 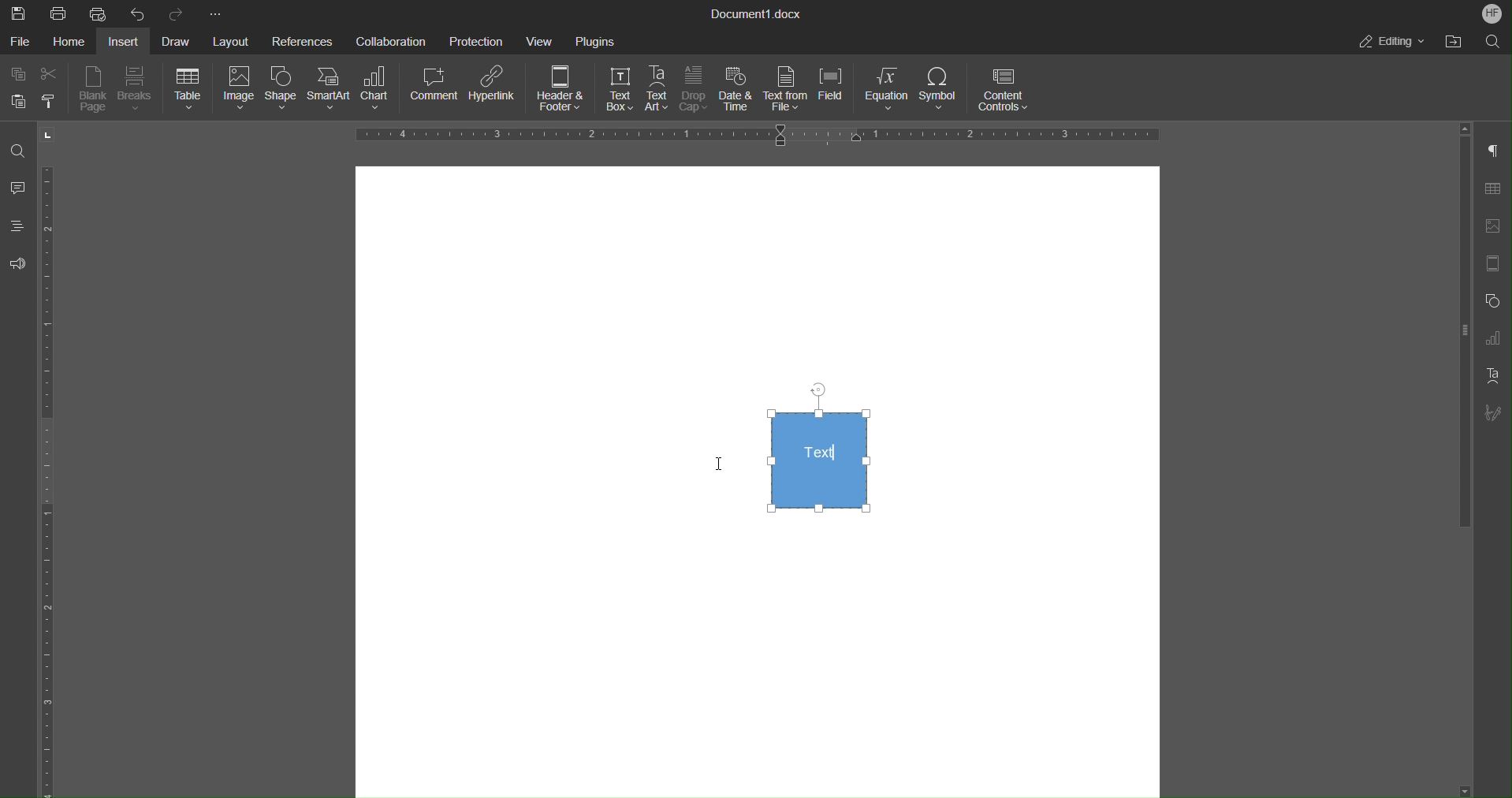 What do you see at coordinates (389, 41) in the screenshot?
I see `Collaboration` at bounding box center [389, 41].